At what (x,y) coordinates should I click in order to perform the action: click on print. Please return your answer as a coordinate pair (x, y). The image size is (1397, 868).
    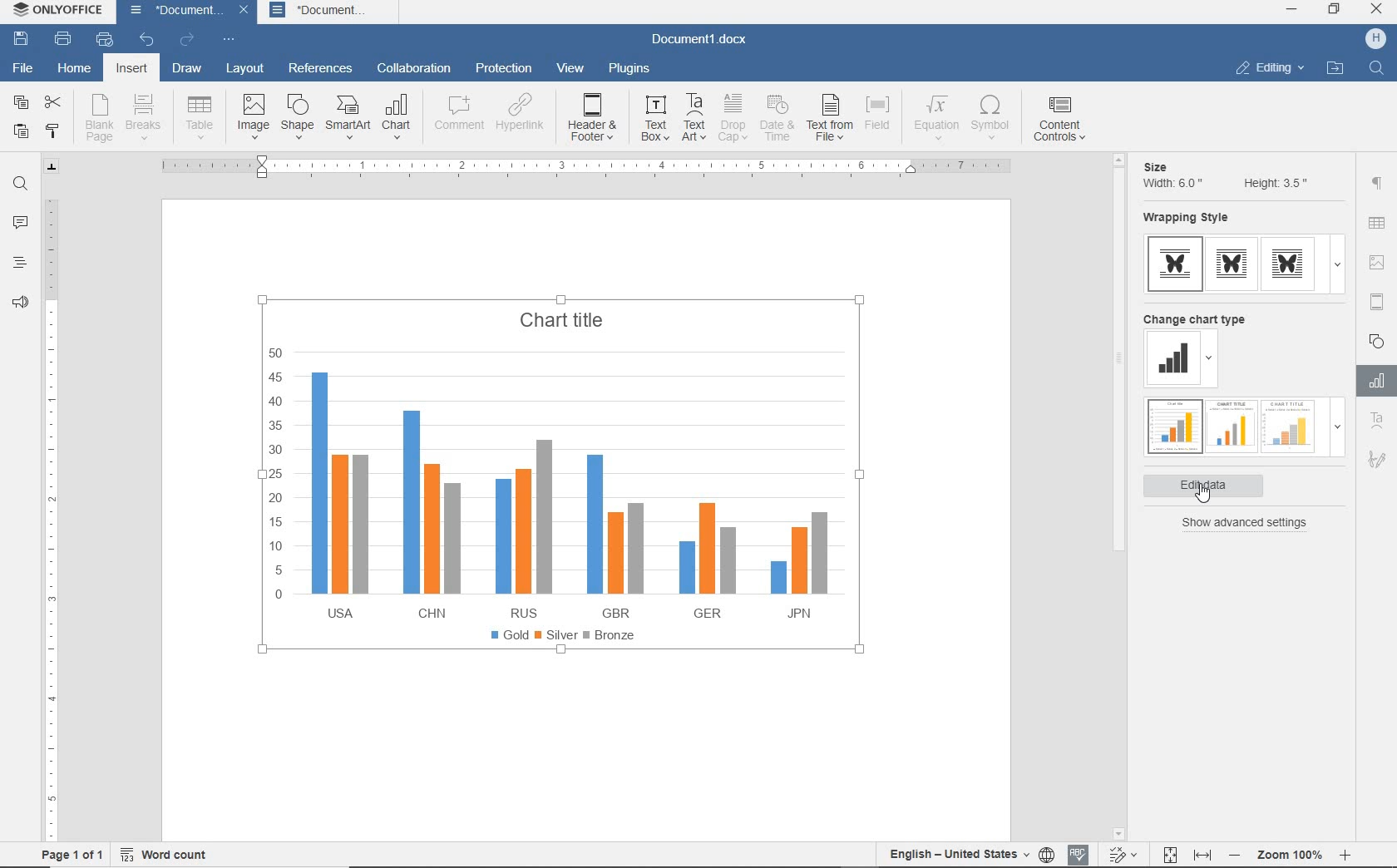
    Looking at the image, I should click on (62, 40).